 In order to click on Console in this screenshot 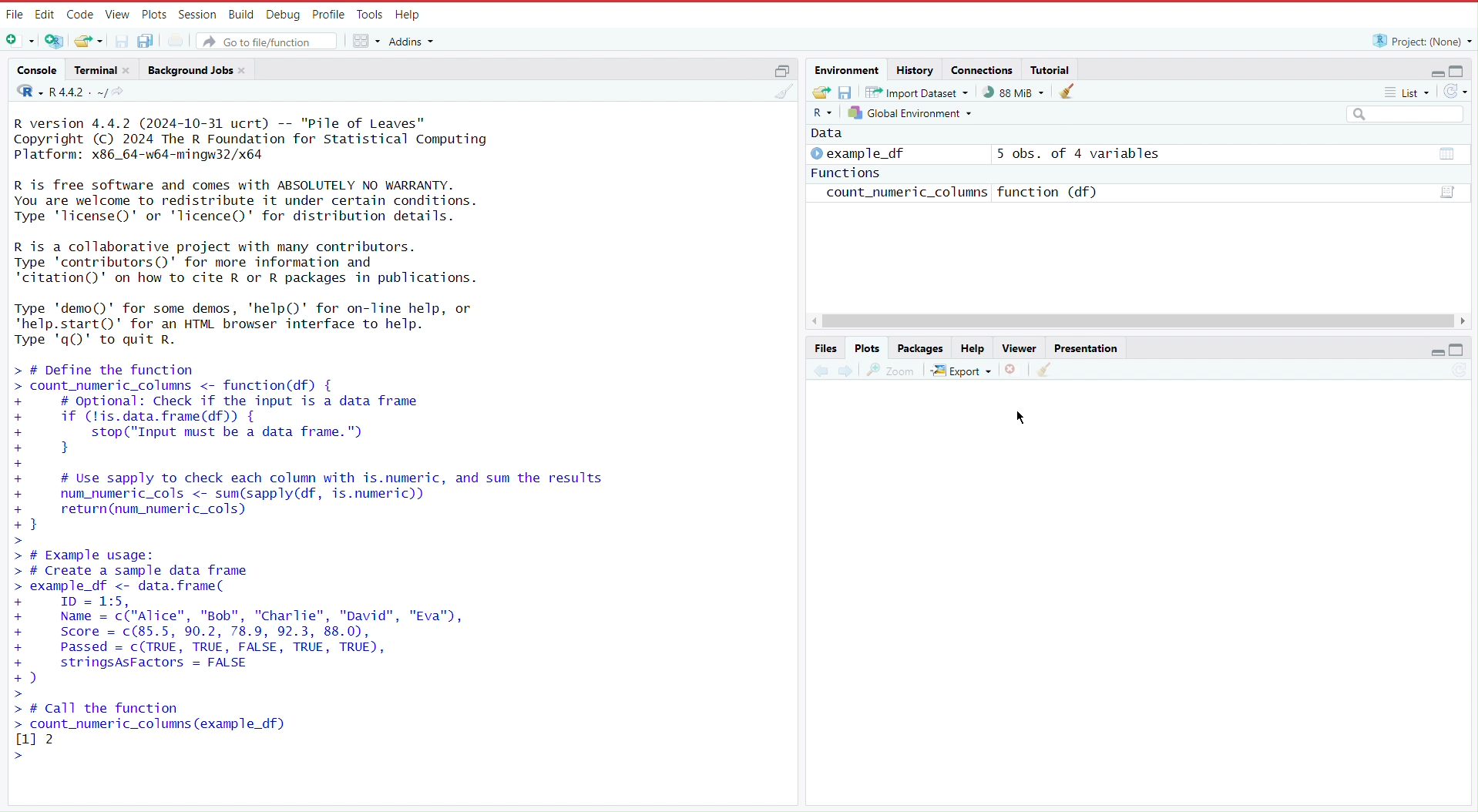, I will do `click(37, 72)`.